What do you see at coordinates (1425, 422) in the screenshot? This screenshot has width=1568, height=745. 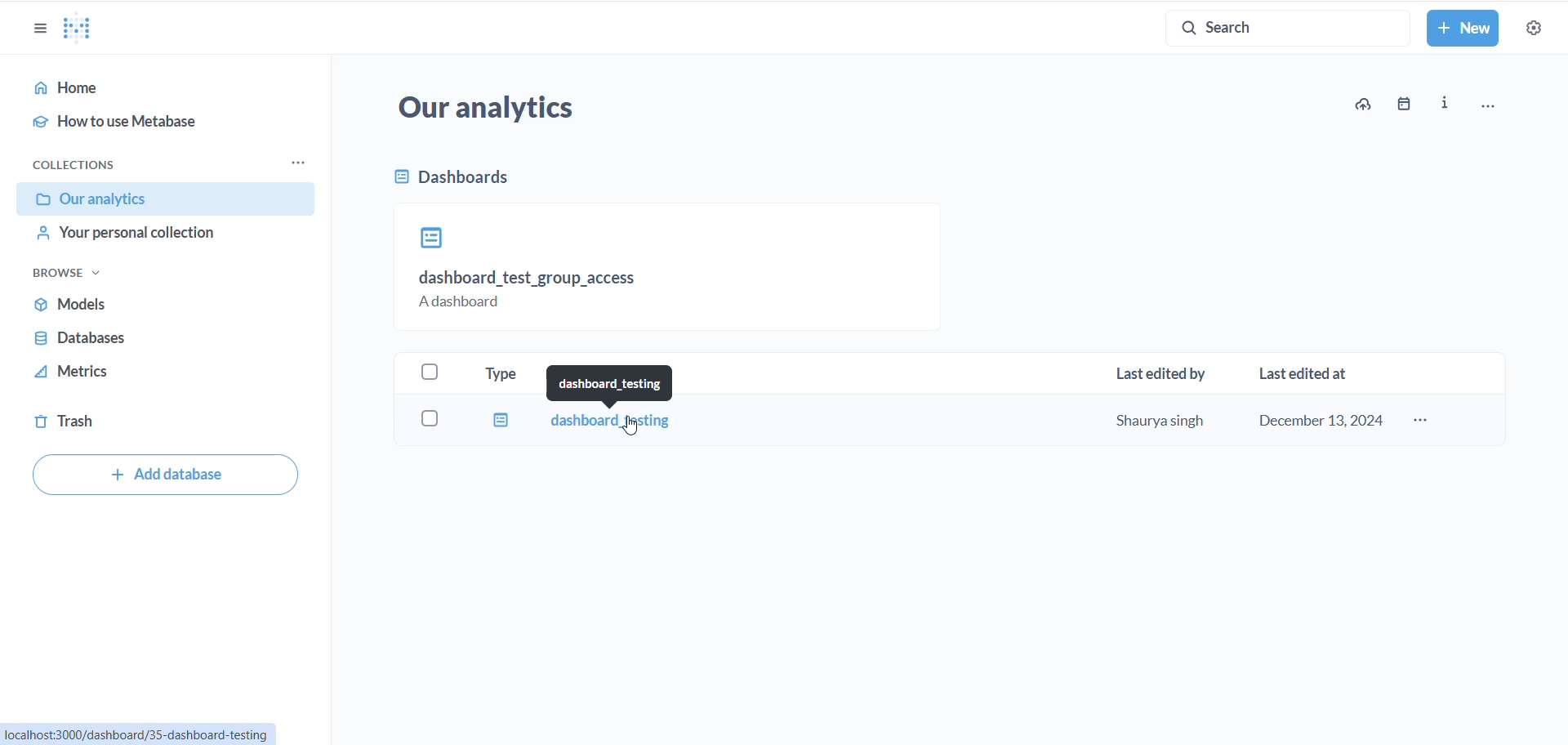 I see `more options` at bounding box center [1425, 422].